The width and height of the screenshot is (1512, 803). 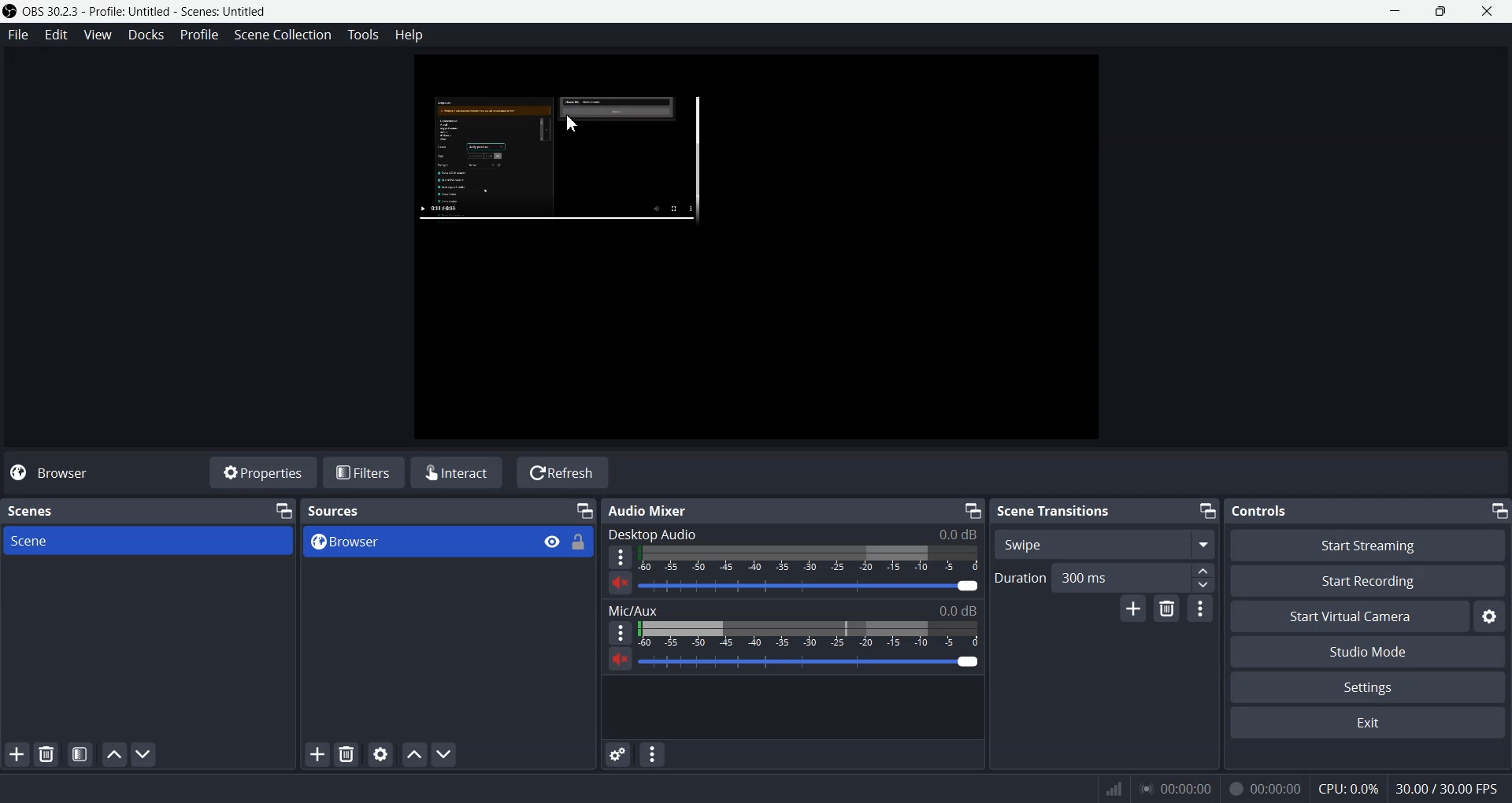 I want to click on Scene Transitions, so click(x=1051, y=509).